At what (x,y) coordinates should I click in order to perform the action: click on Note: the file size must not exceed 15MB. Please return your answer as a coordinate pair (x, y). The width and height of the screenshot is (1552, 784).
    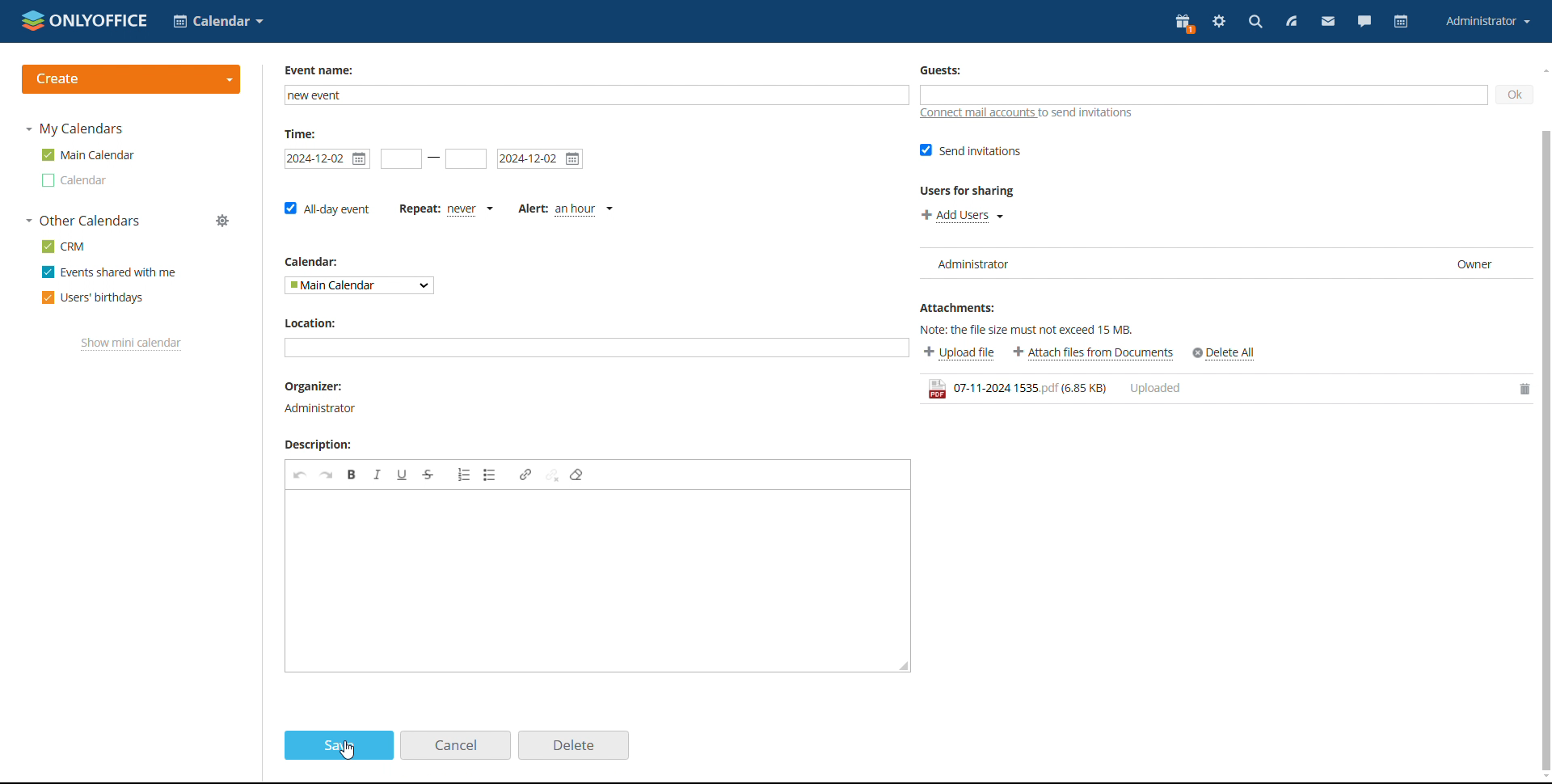
    Looking at the image, I should click on (1032, 327).